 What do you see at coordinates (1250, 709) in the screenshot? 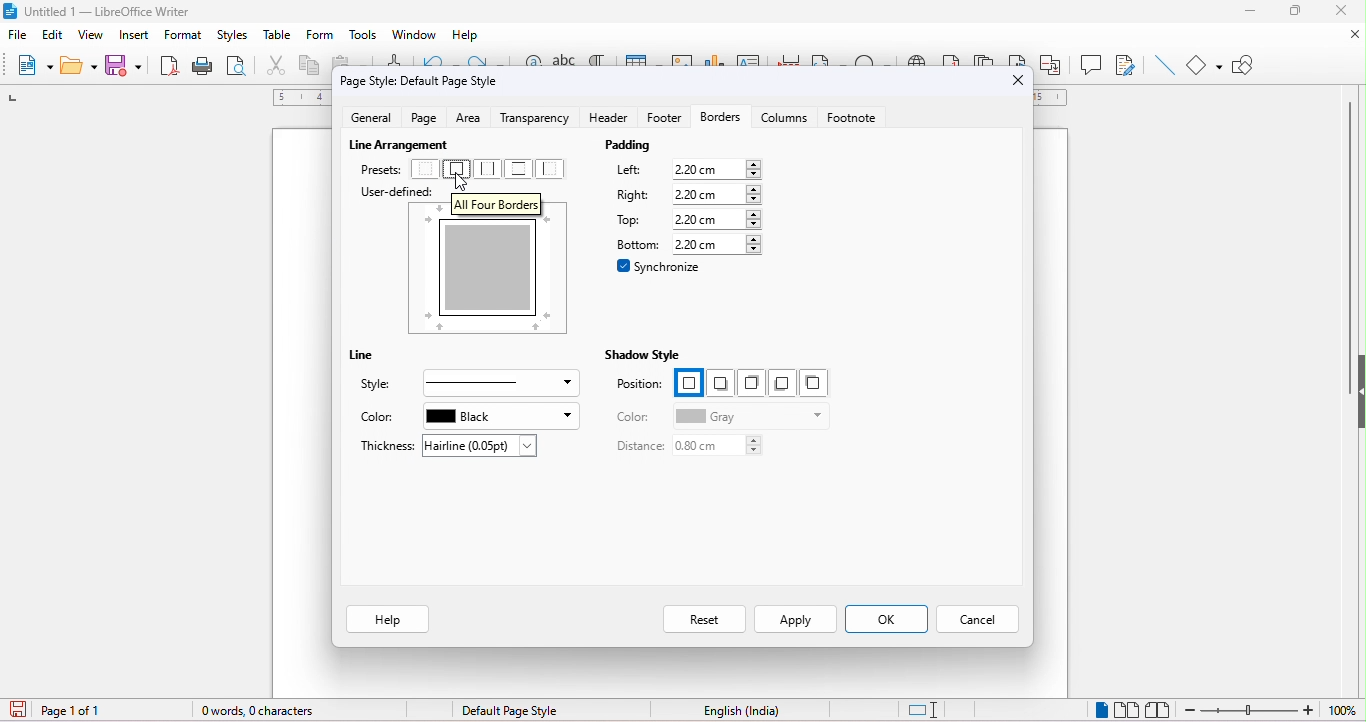
I see `zoom out` at bounding box center [1250, 709].